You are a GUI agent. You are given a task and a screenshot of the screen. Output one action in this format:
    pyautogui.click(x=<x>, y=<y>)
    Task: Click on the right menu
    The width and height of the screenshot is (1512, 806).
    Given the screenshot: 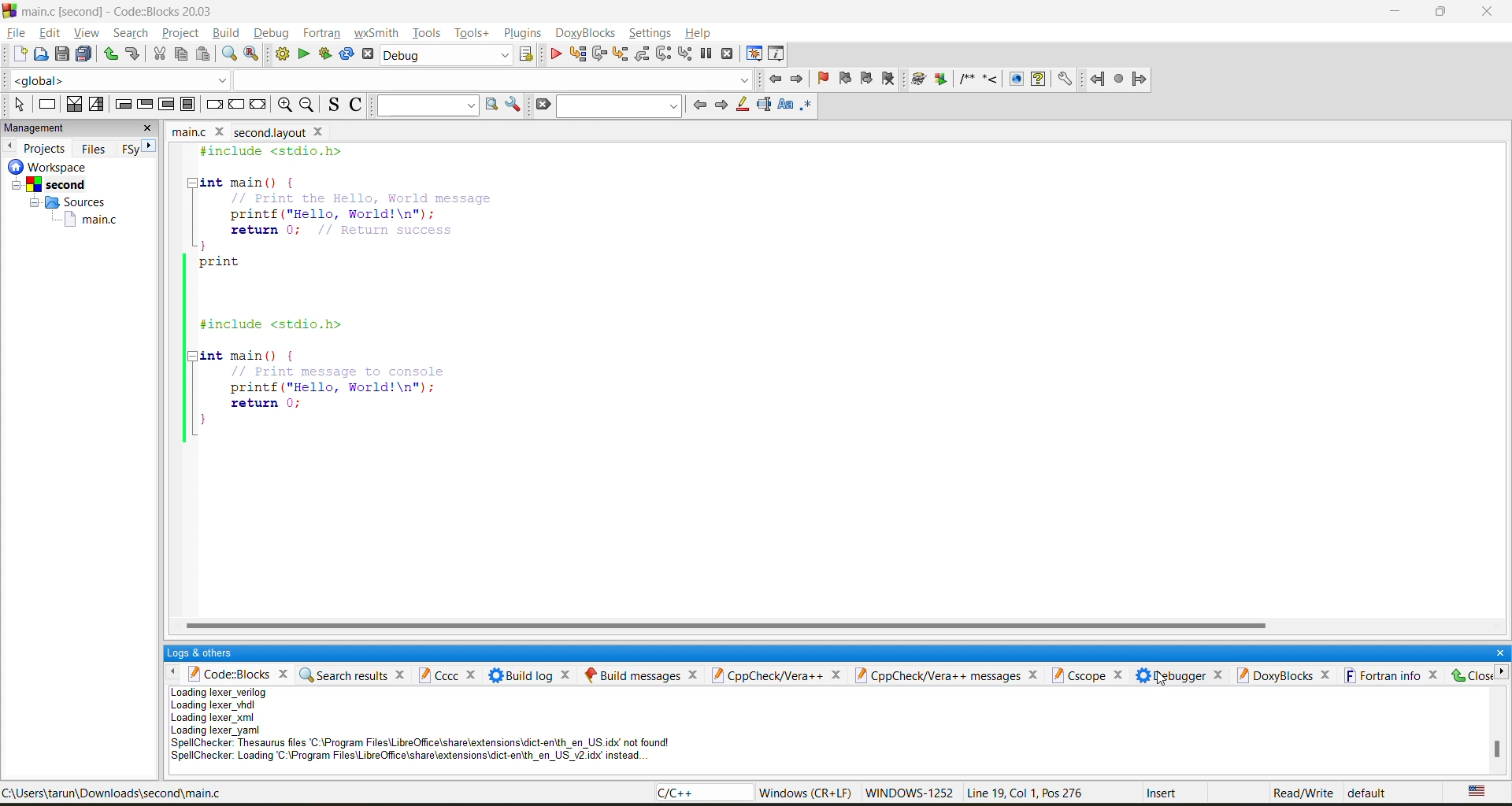 What is the action you would take?
    pyautogui.click(x=1503, y=678)
    